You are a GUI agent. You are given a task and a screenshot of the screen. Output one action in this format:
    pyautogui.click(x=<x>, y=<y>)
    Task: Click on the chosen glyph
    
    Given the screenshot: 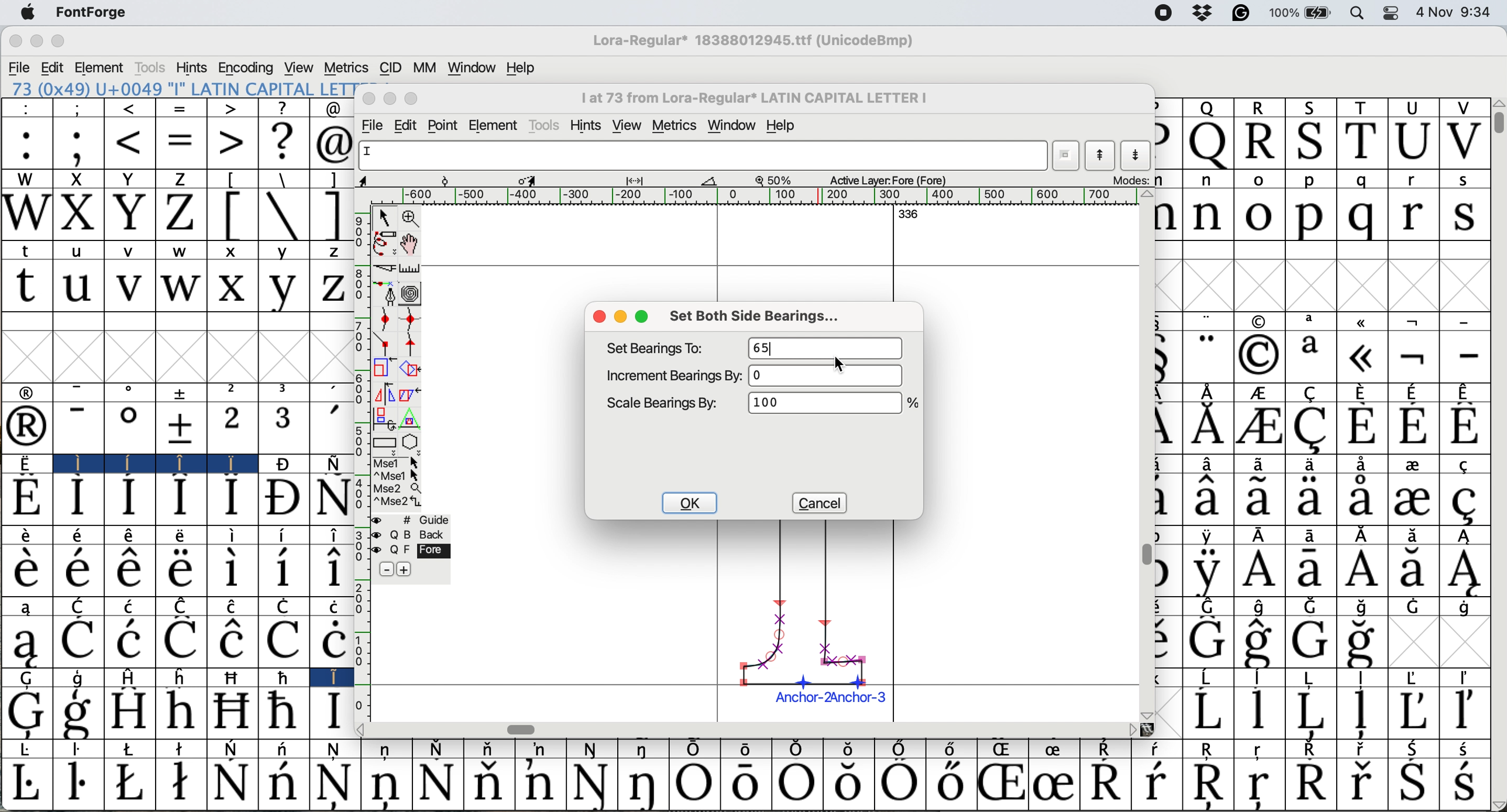 What is the action you would take?
    pyautogui.click(x=810, y=617)
    